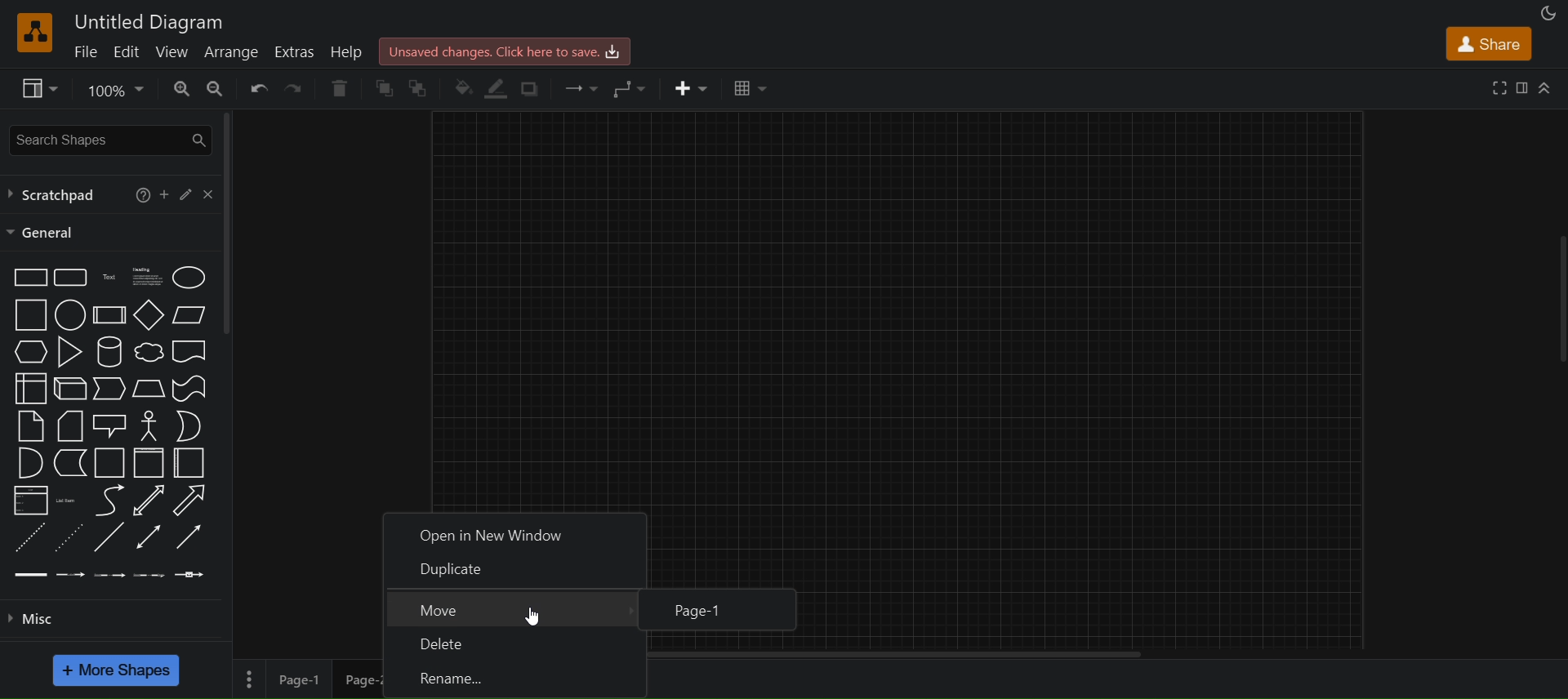  What do you see at coordinates (37, 89) in the screenshot?
I see `view` at bounding box center [37, 89].